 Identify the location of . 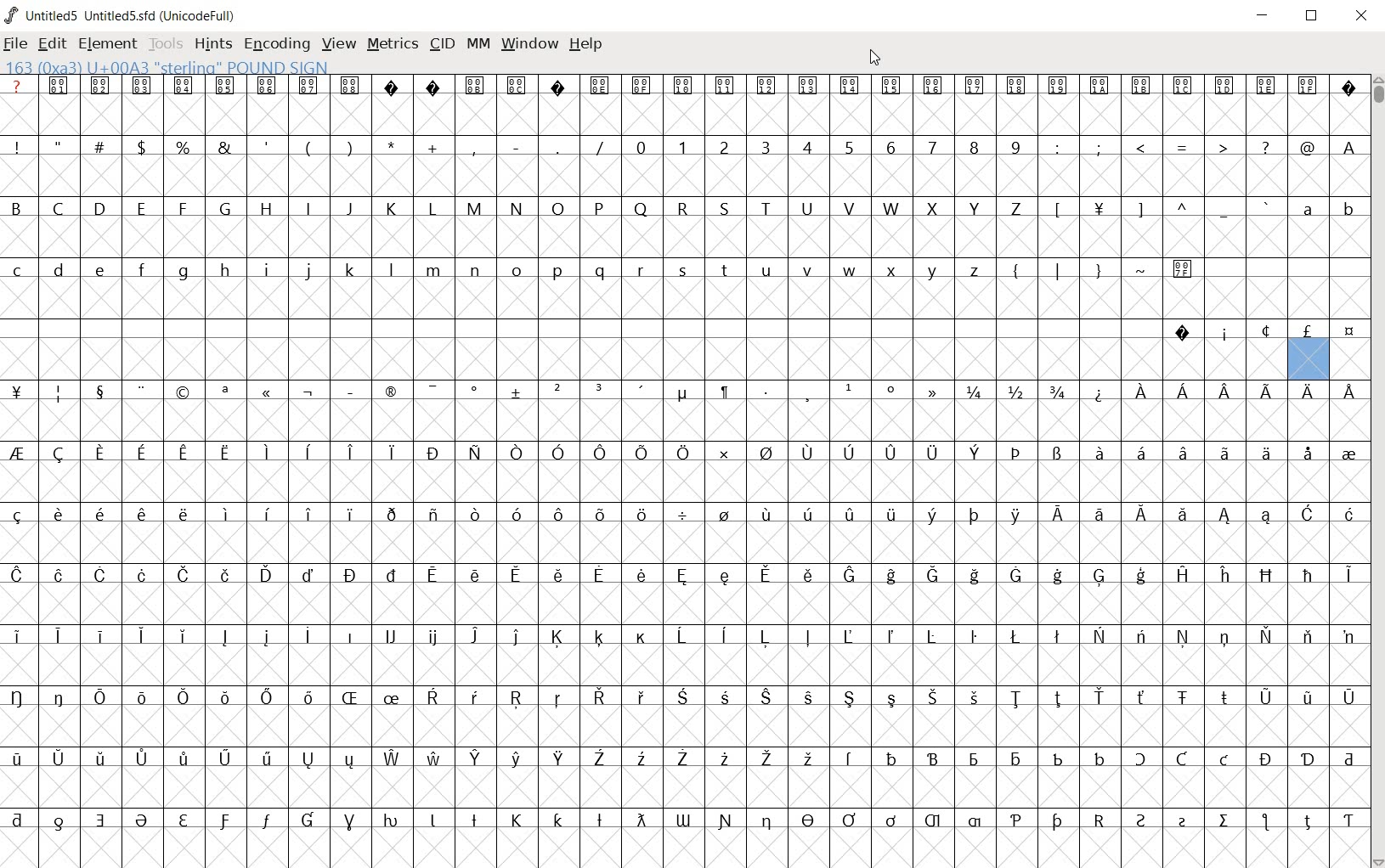
(933, 697).